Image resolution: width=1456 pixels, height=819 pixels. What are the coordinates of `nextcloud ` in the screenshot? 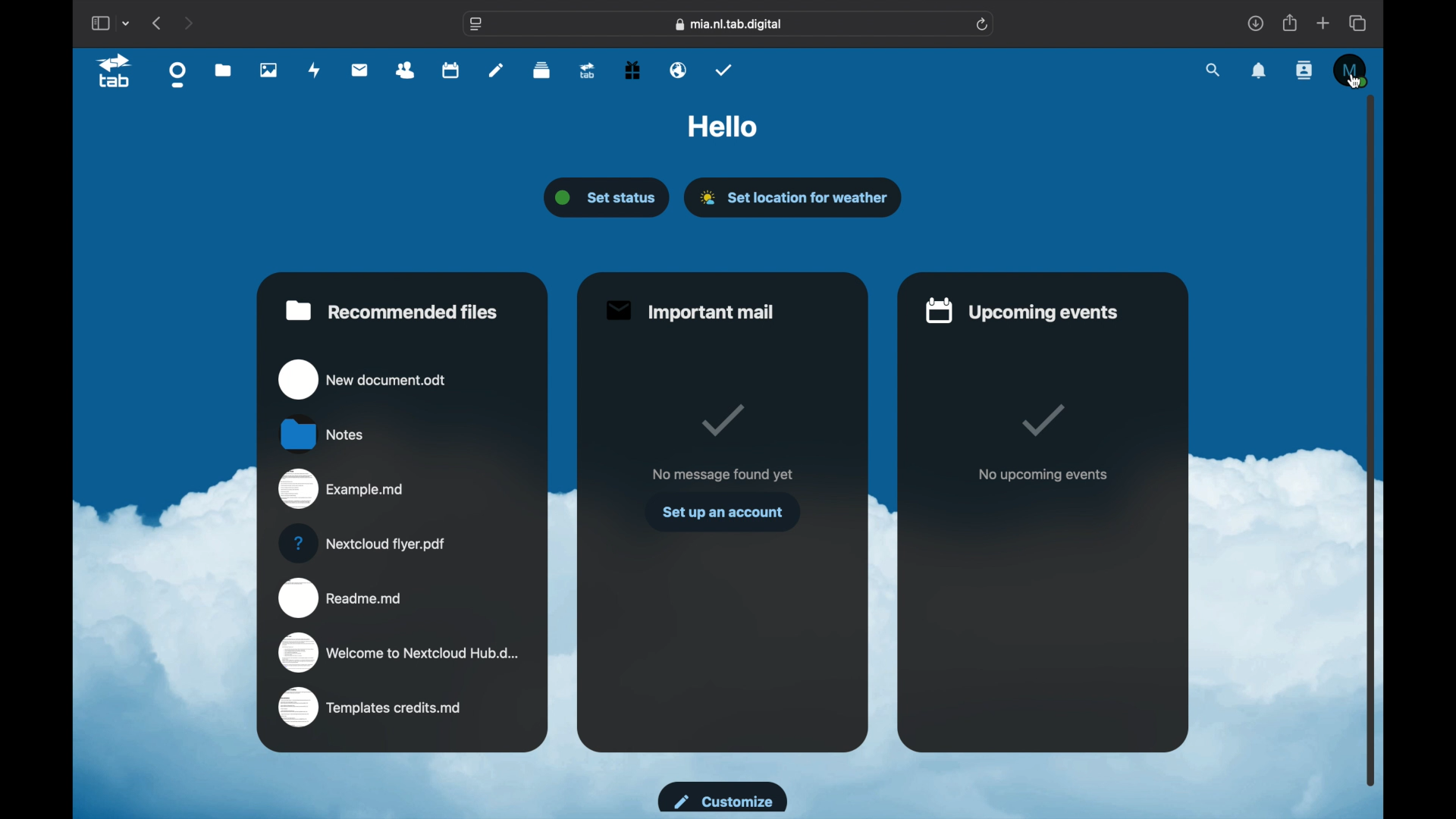 It's located at (362, 542).